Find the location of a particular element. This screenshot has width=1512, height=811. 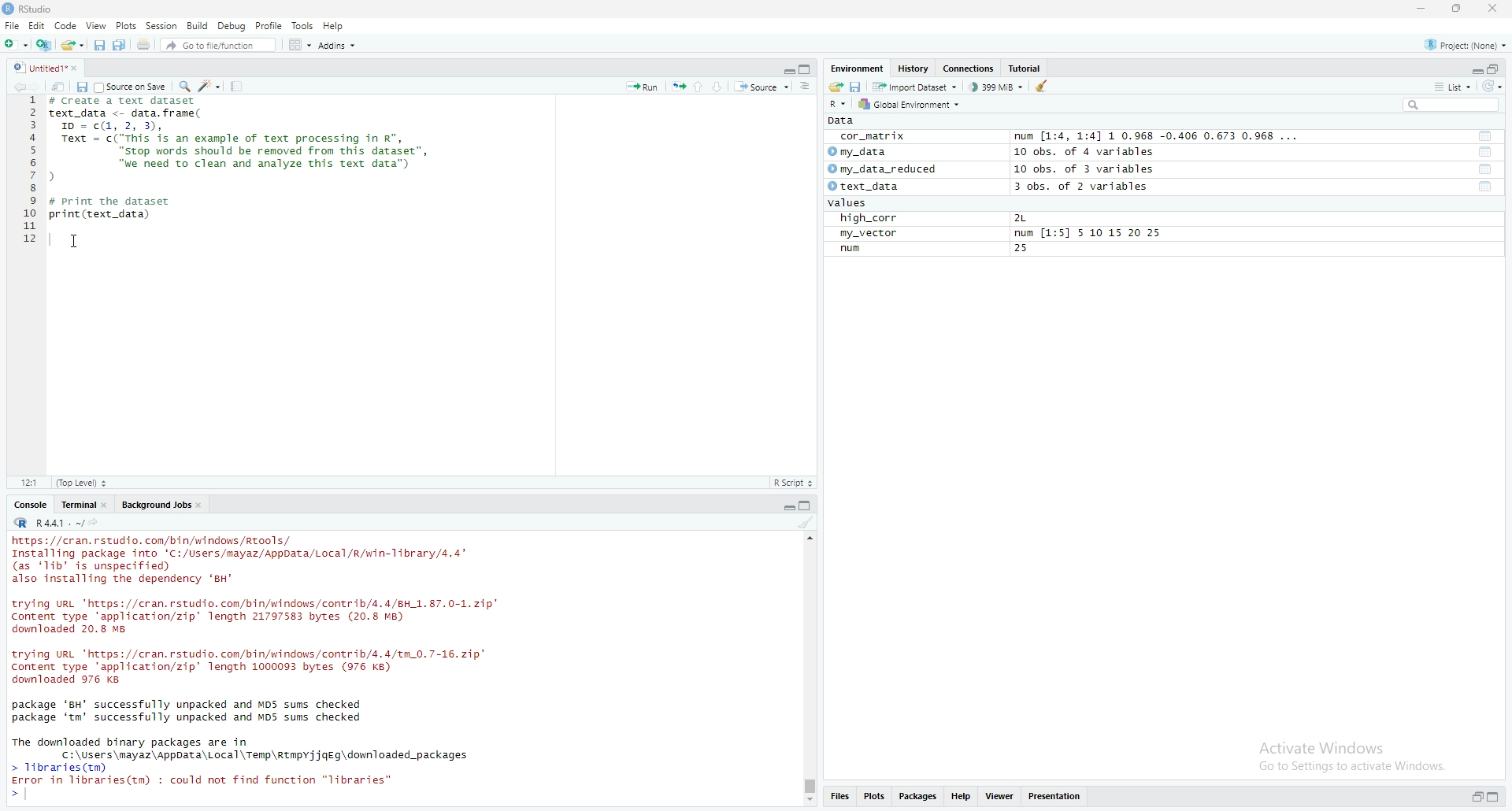

line numbers is located at coordinates (25, 181).